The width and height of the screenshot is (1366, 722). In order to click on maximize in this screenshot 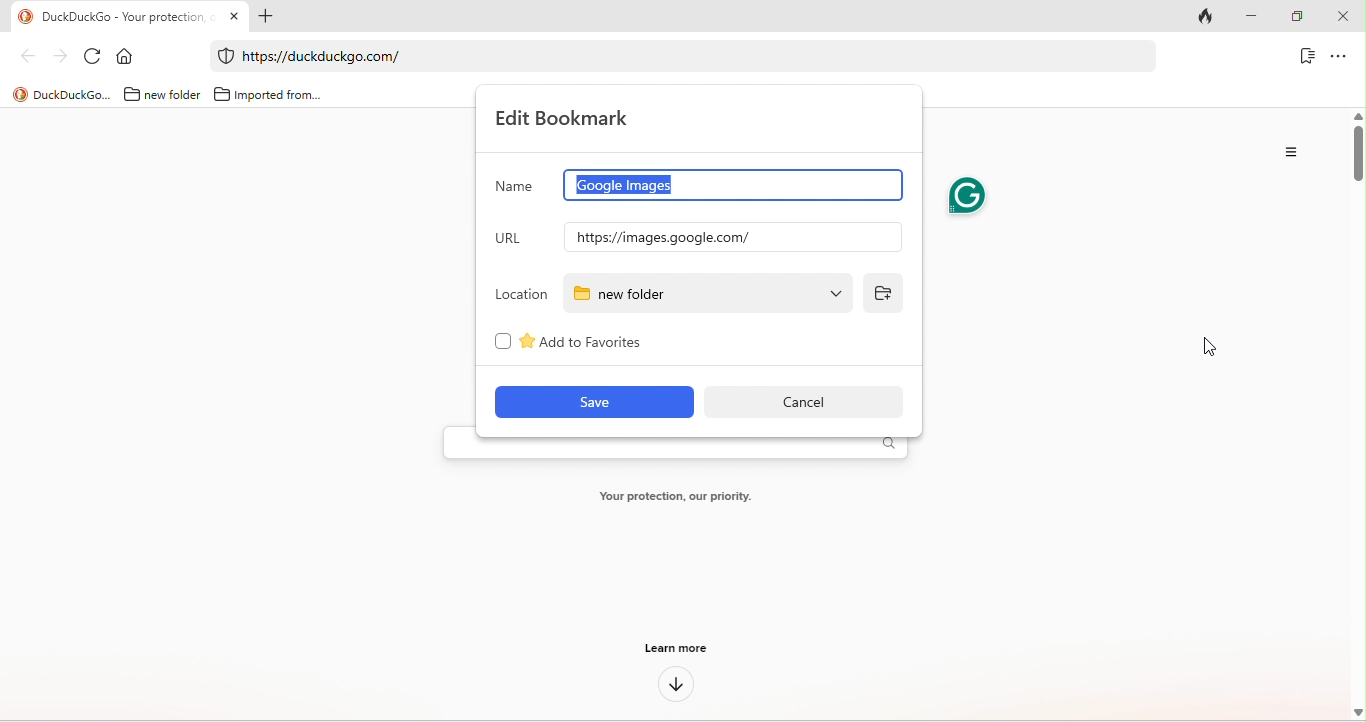, I will do `click(1301, 17)`.